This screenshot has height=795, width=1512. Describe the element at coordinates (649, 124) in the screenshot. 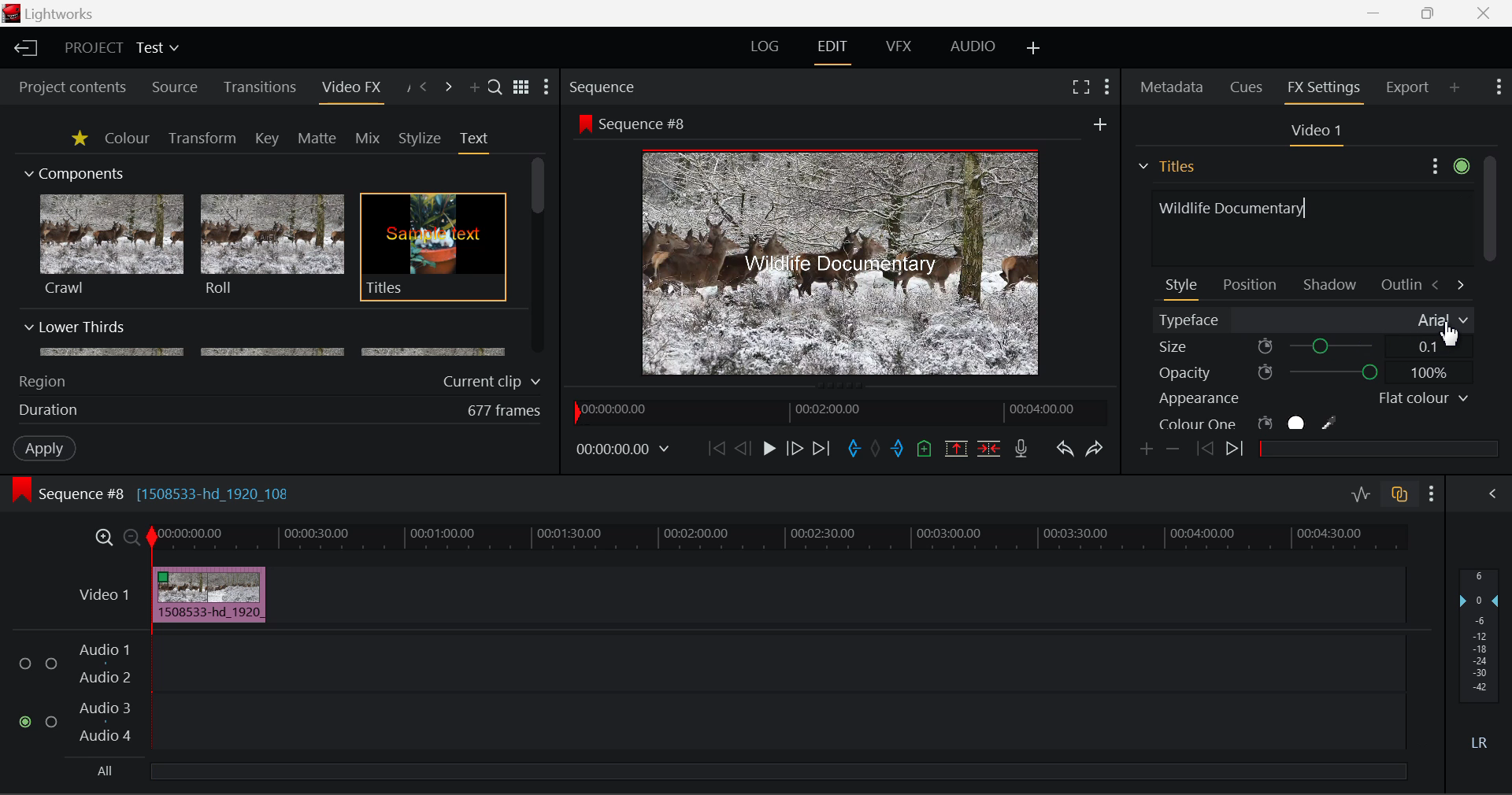

I see `Sequence #8` at that location.